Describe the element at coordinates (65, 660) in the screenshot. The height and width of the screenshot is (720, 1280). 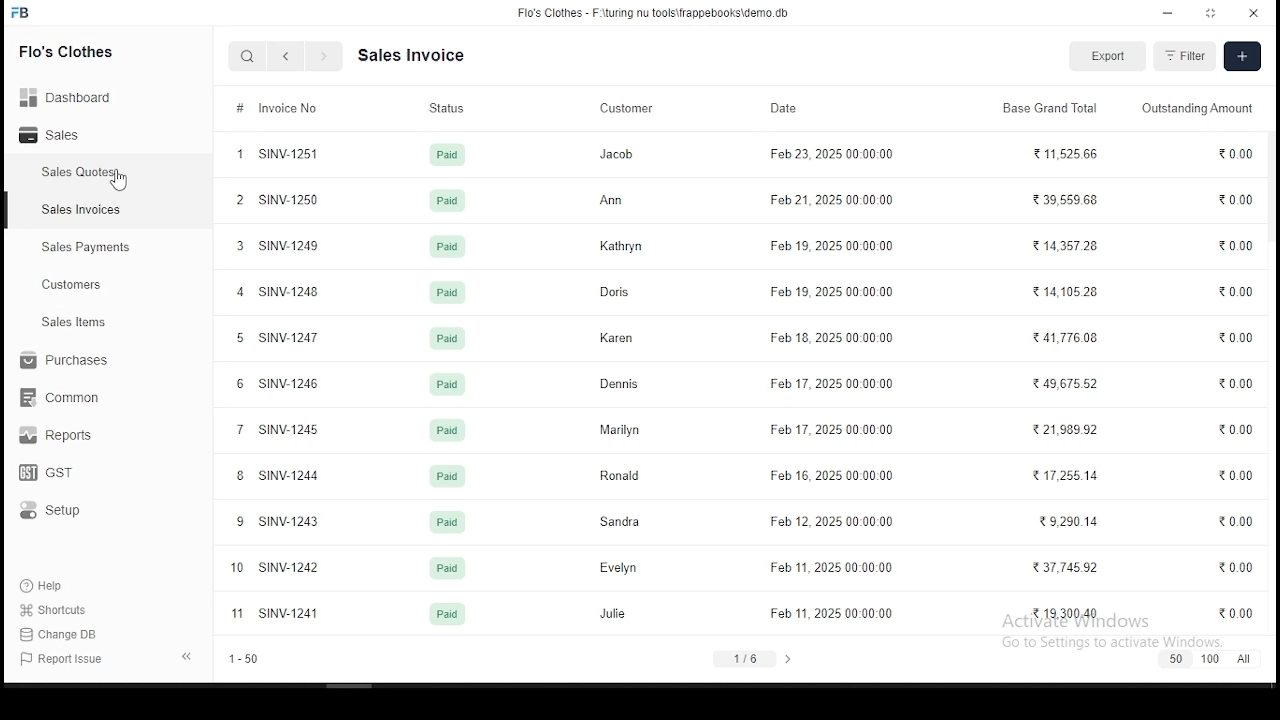
I see `report issues` at that location.